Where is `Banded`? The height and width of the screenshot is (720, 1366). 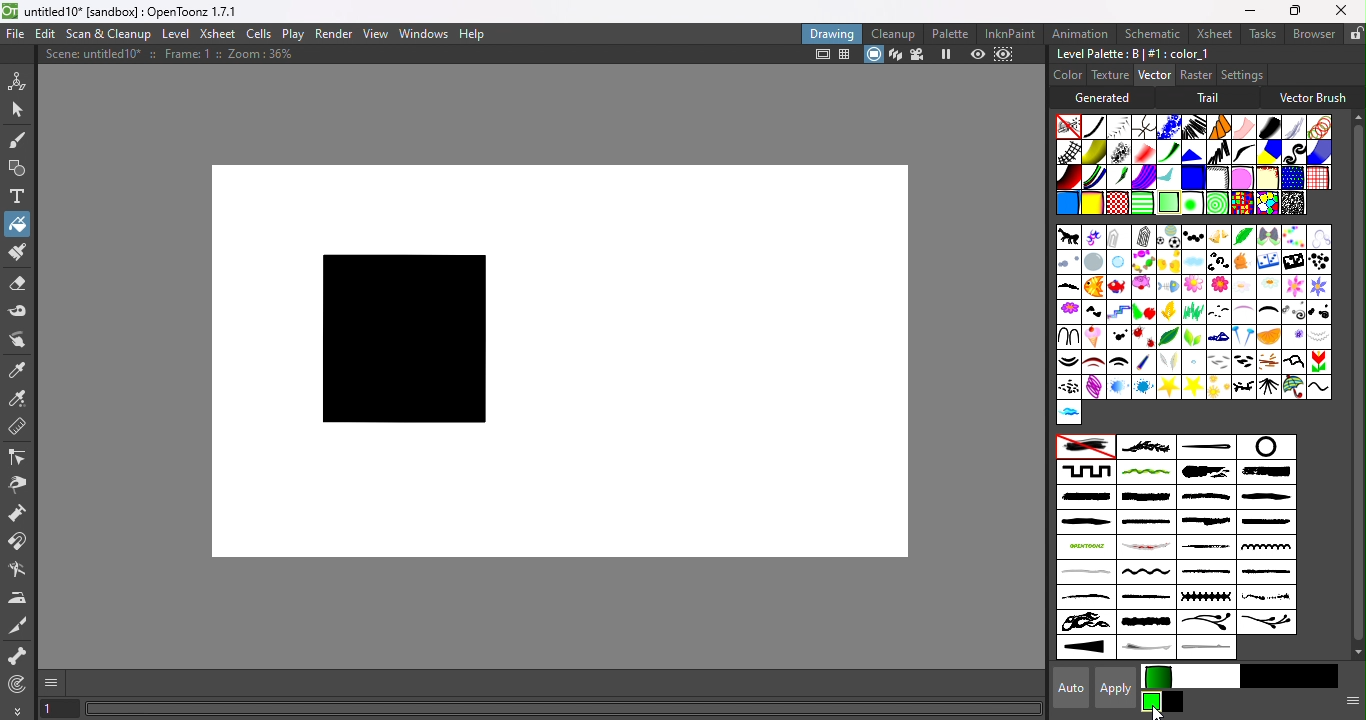
Banded is located at coordinates (1144, 202).